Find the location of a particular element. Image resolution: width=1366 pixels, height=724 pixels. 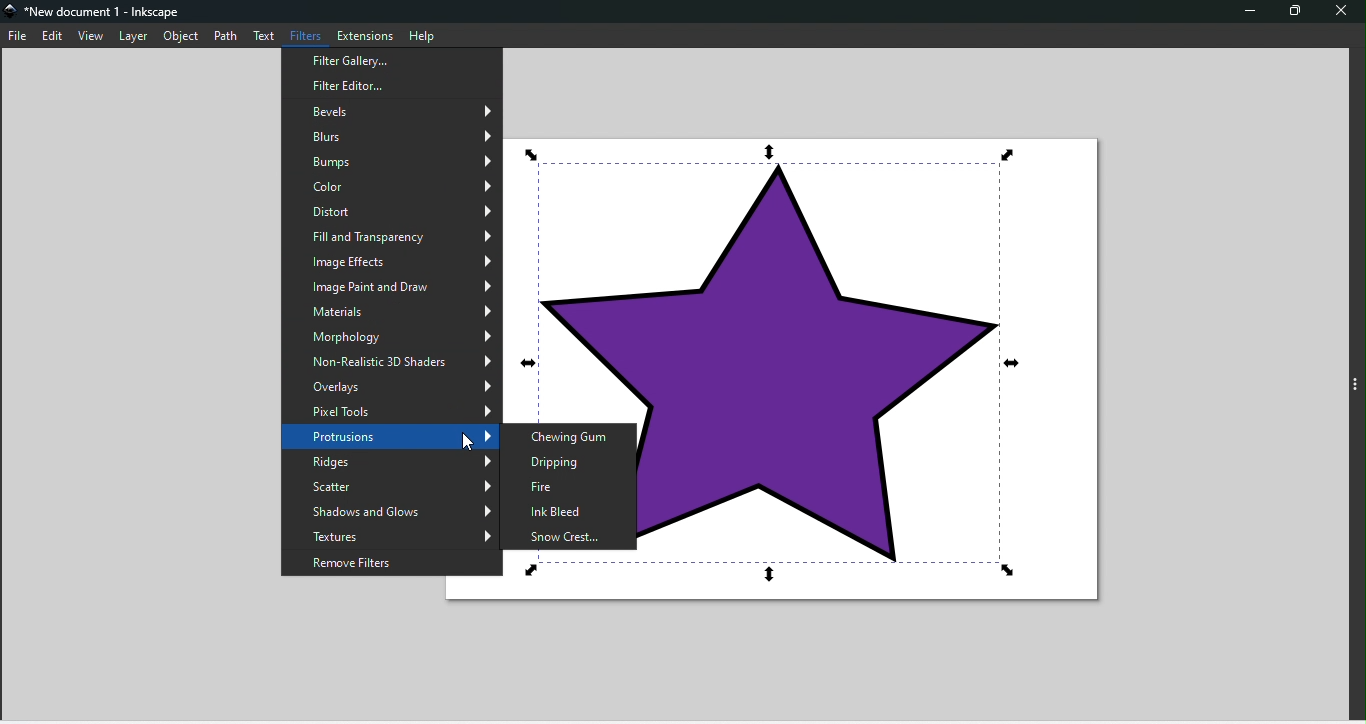

Overlays is located at coordinates (392, 385).